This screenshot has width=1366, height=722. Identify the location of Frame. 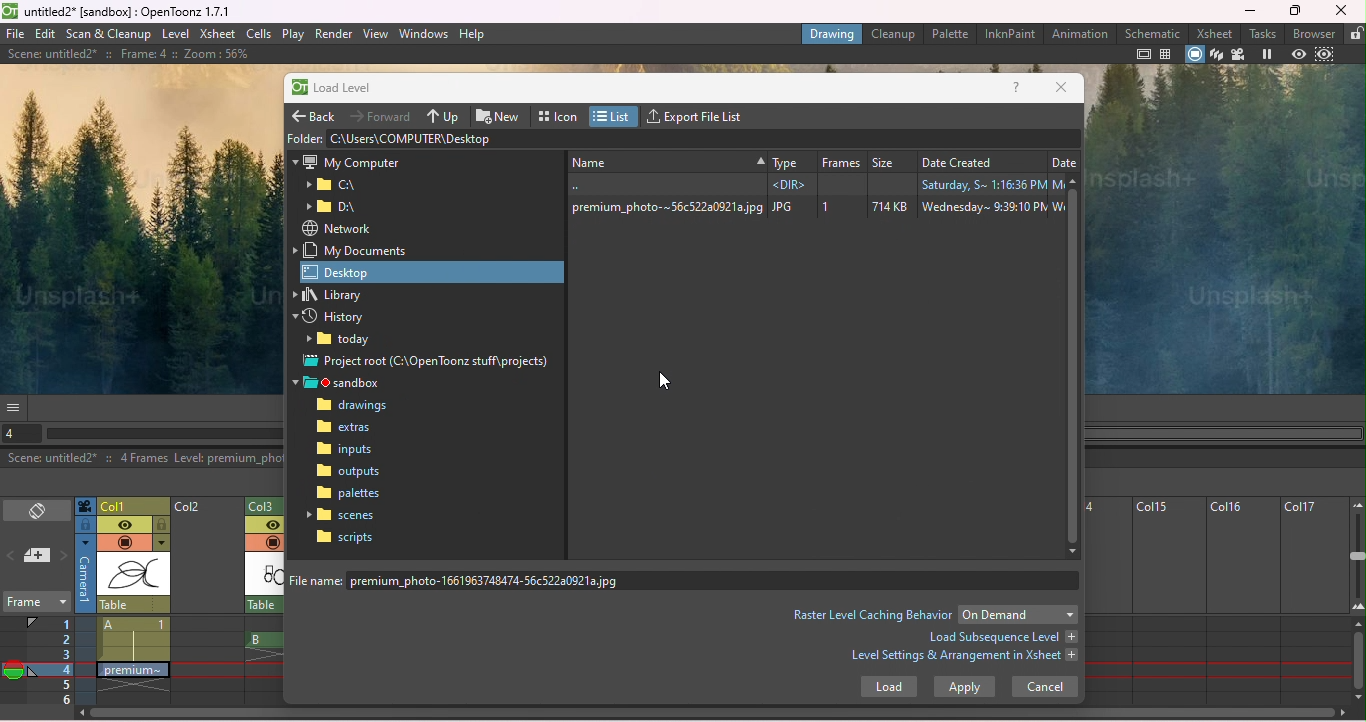
(841, 159).